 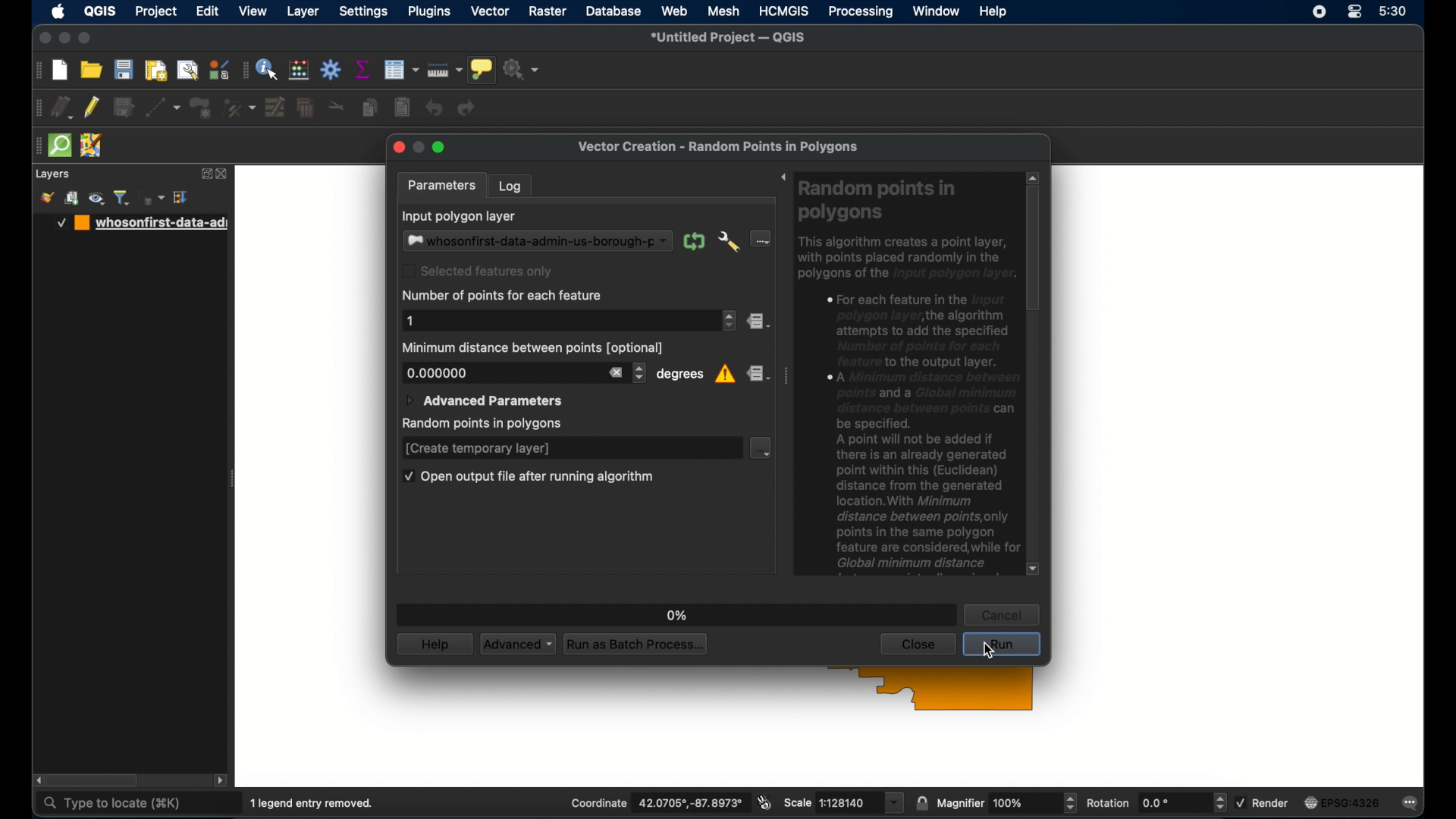 What do you see at coordinates (993, 12) in the screenshot?
I see `help` at bounding box center [993, 12].